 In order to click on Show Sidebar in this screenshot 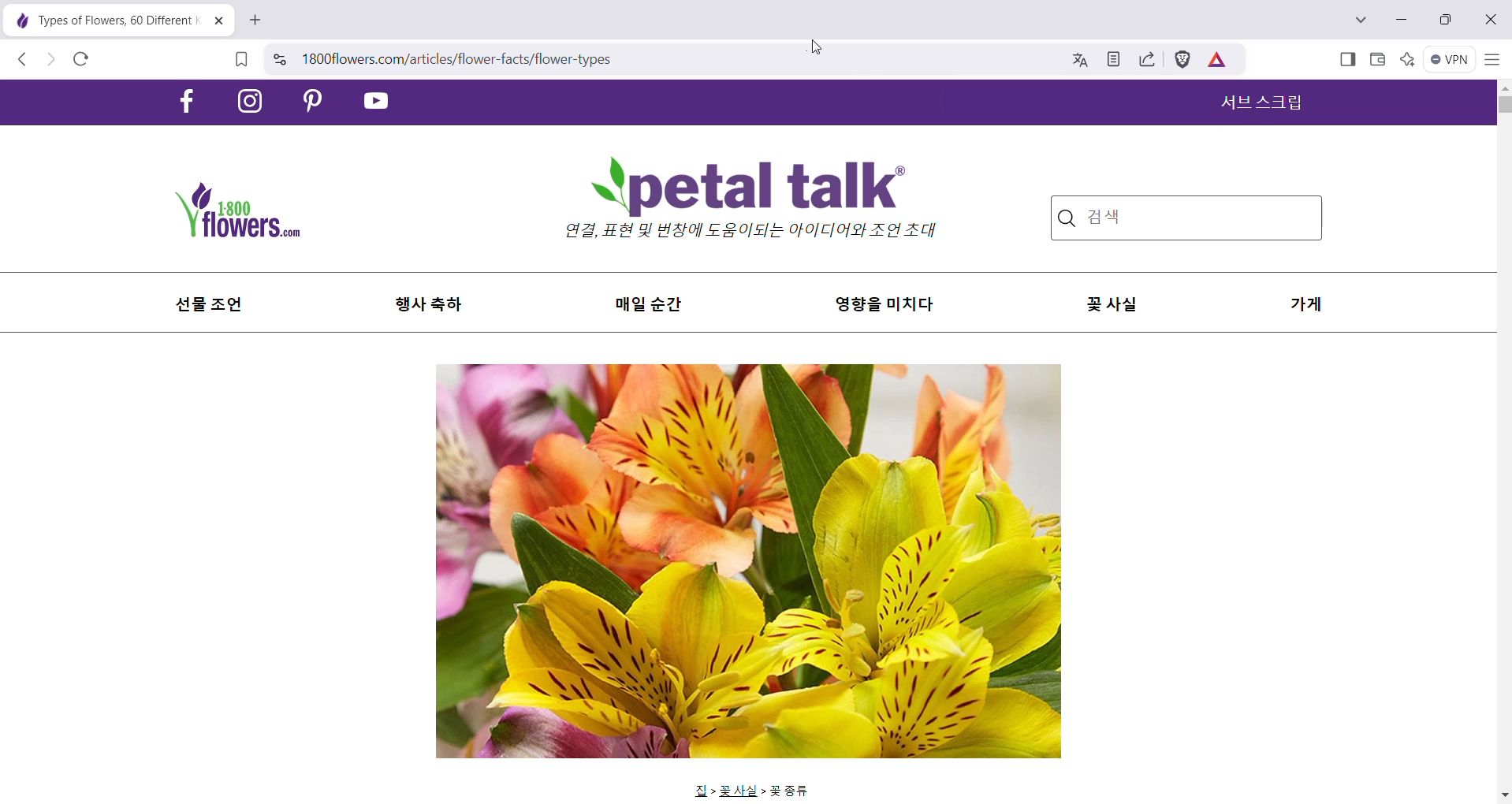, I will do `click(1347, 60)`.